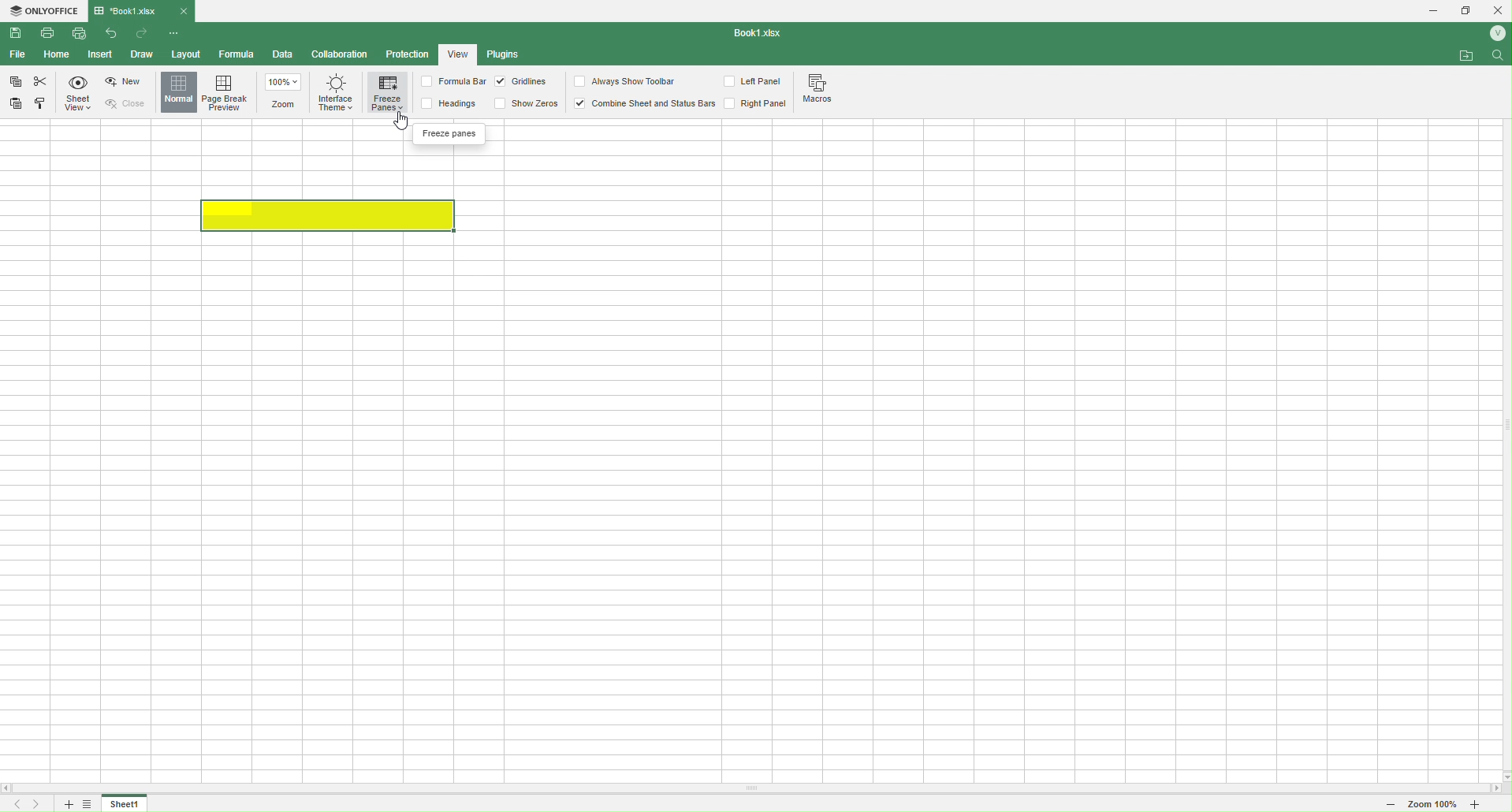 The height and width of the screenshot is (812, 1512). I want to click on Combine sheet and status bar, so click(644, 103).